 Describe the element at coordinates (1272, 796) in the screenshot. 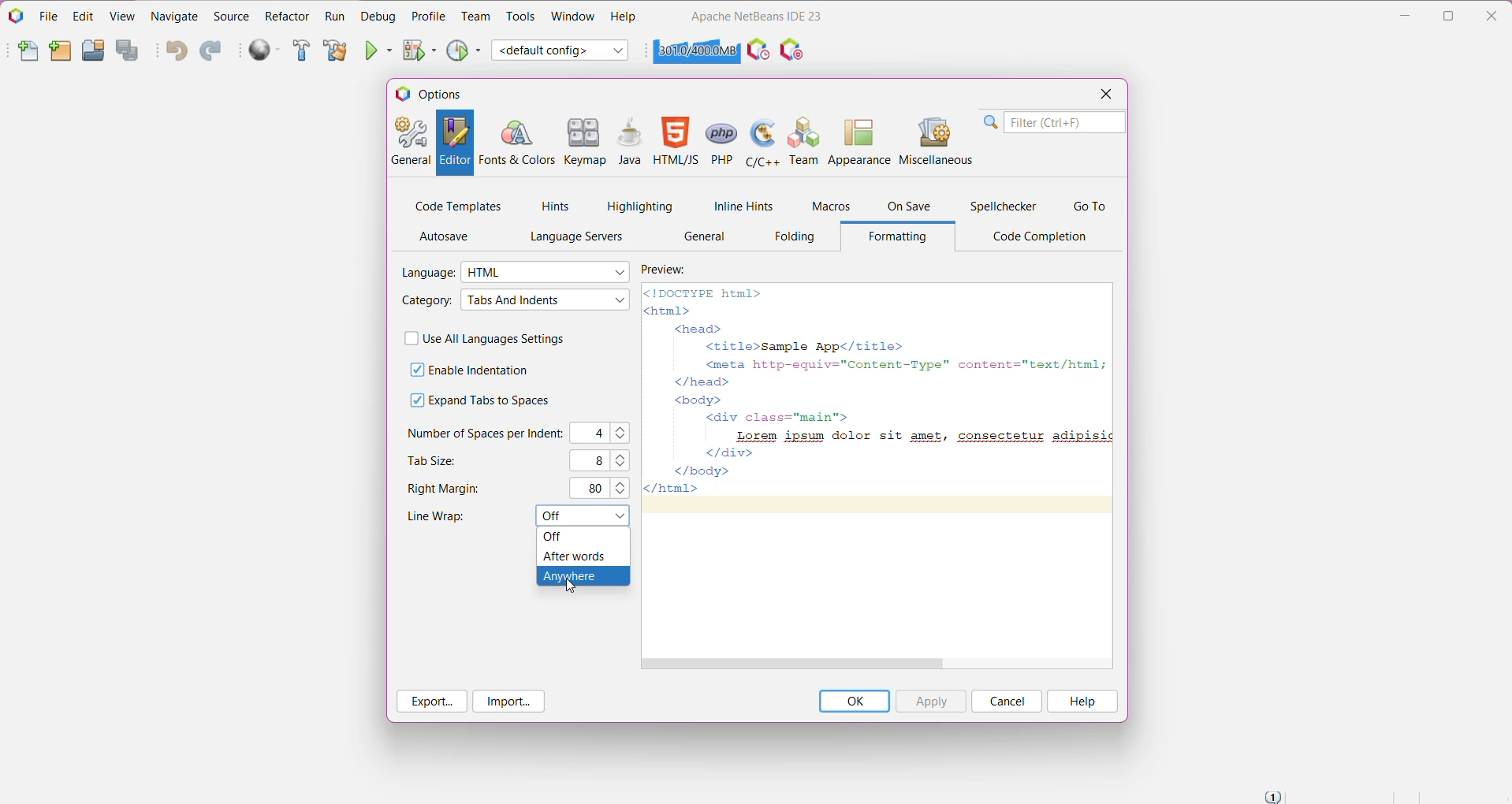

I see `Notifications` at that location.